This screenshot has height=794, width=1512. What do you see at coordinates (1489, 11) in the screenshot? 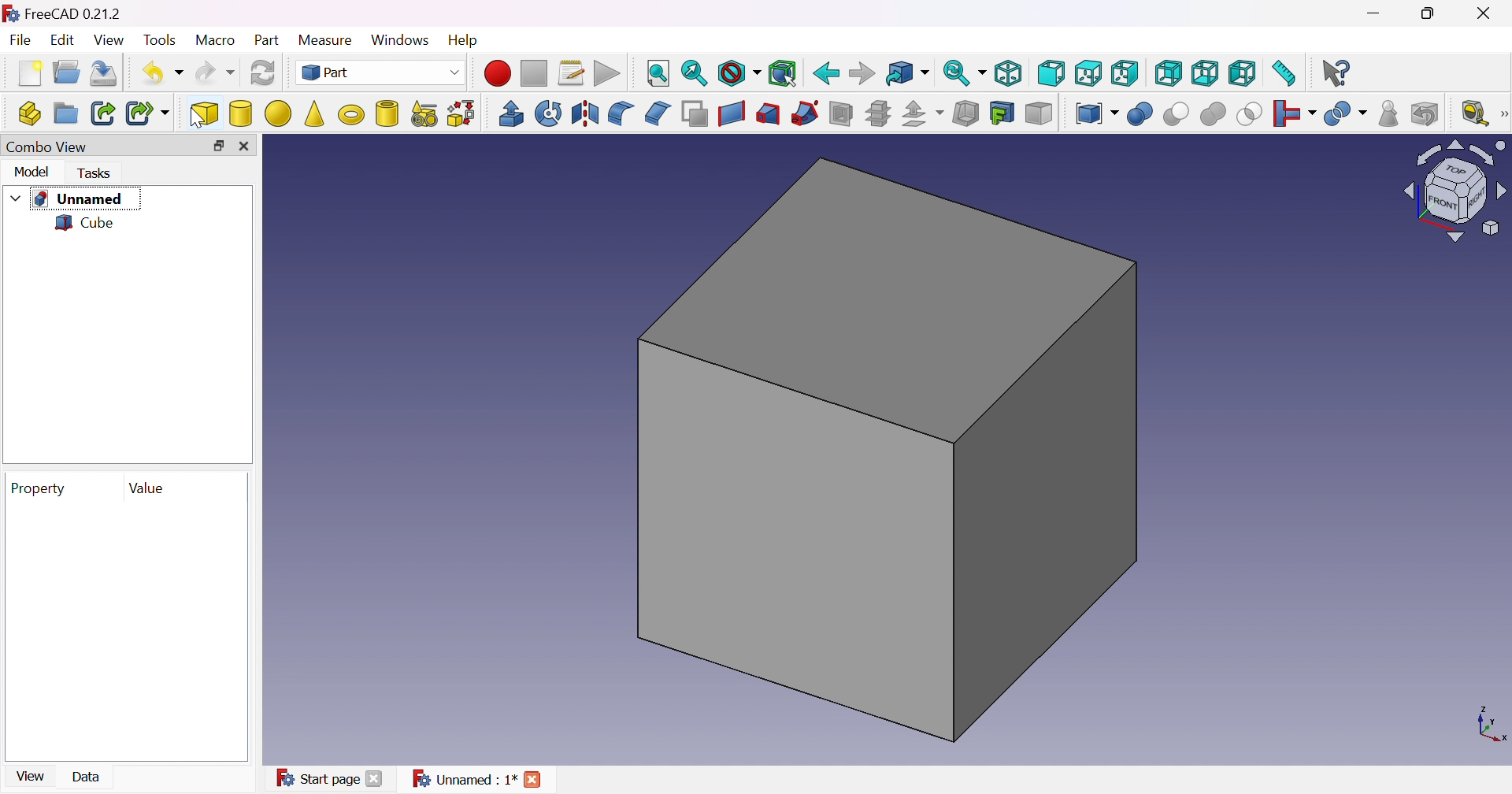
I see `Close` at bounding box center [1489, 11].